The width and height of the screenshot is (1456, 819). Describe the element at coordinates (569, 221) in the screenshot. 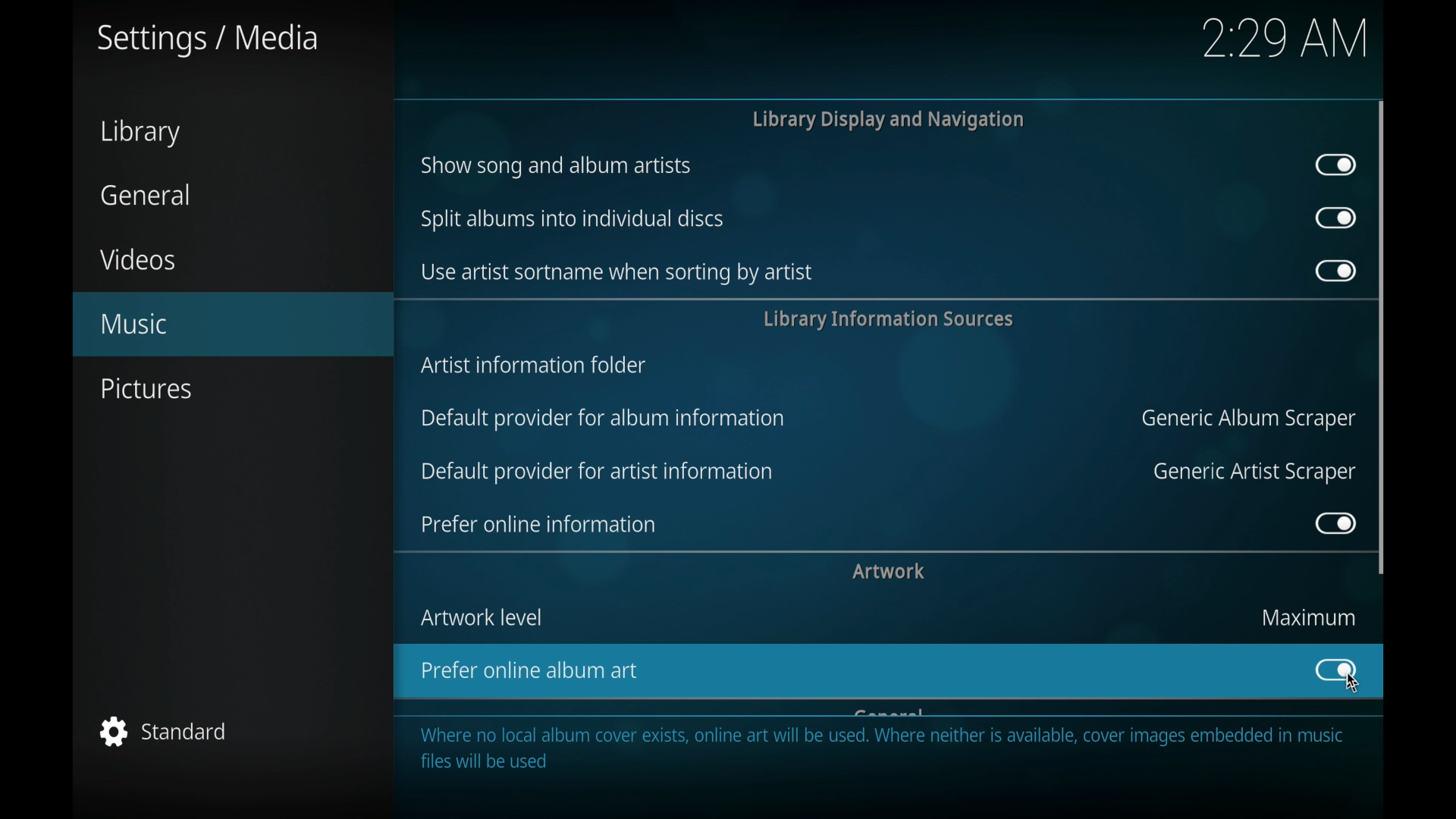

I see `split items into individual discs` at that location.